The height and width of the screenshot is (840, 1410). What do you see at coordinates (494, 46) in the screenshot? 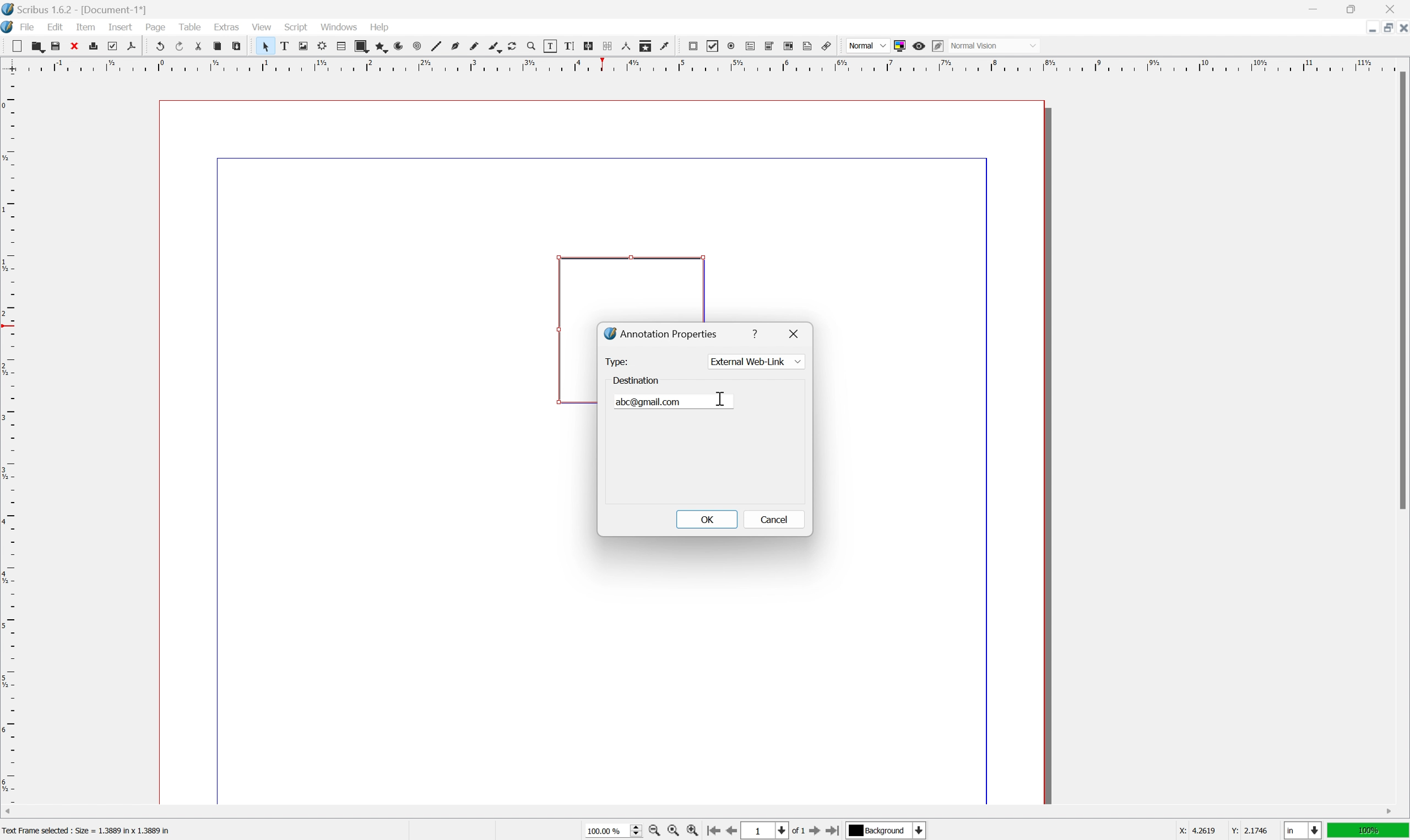
I see `calligraphy line` at bounding box center [494, 46].